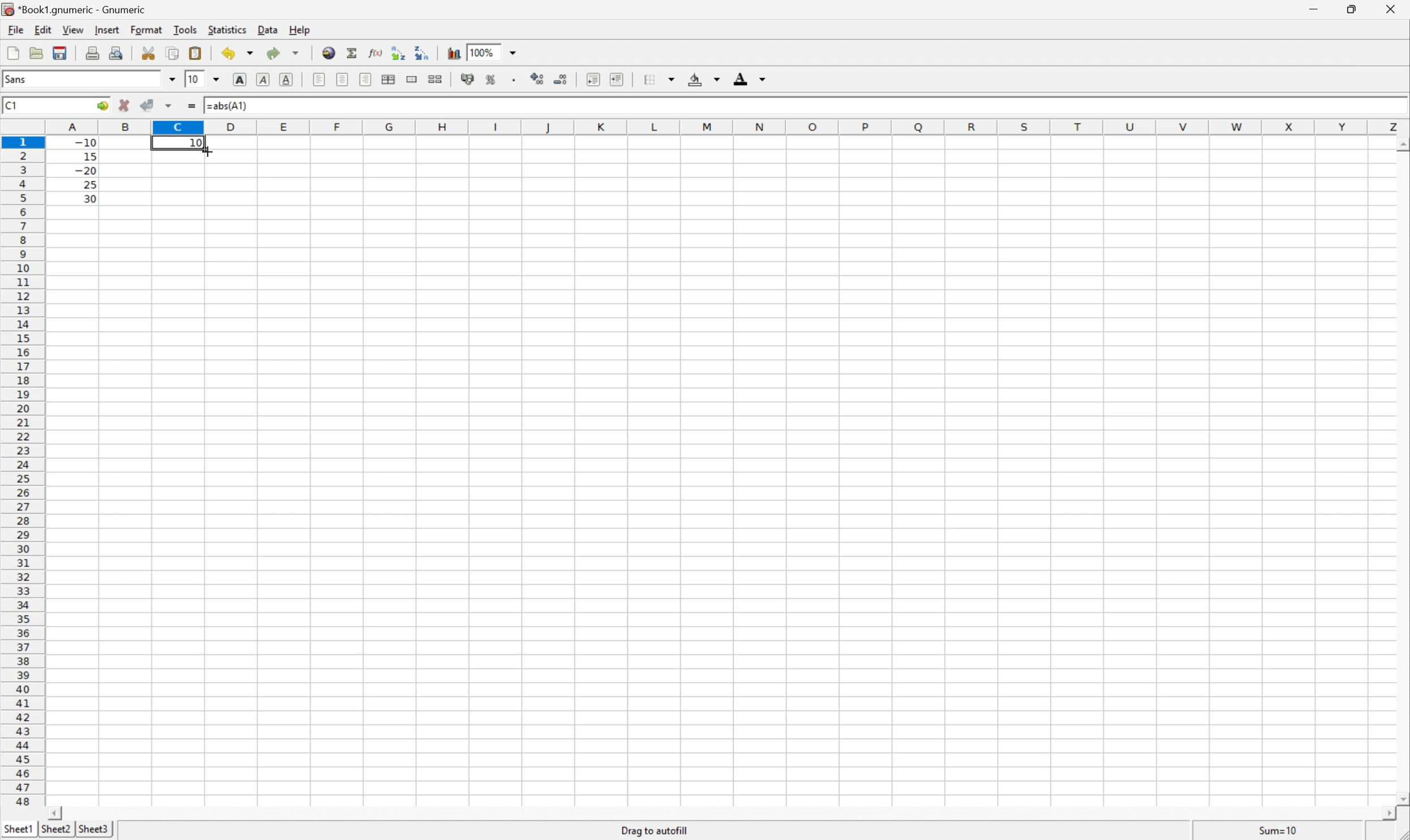  What do you see at coordinates (647, 79) in the screenshot?
I see `Borders` at bounding box center [647, 79].